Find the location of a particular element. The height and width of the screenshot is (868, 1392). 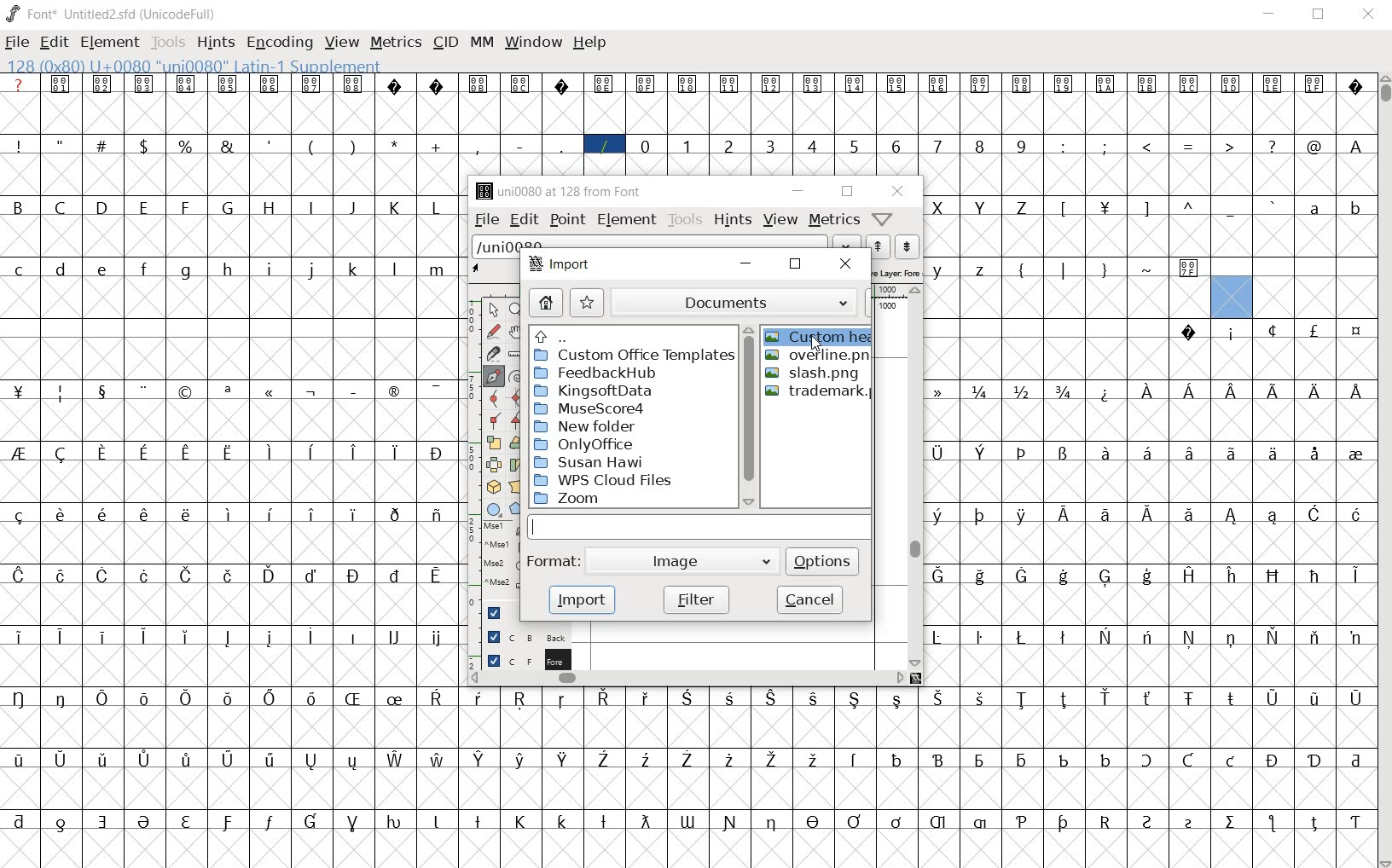

glyph is located at coordinates (476, 147).